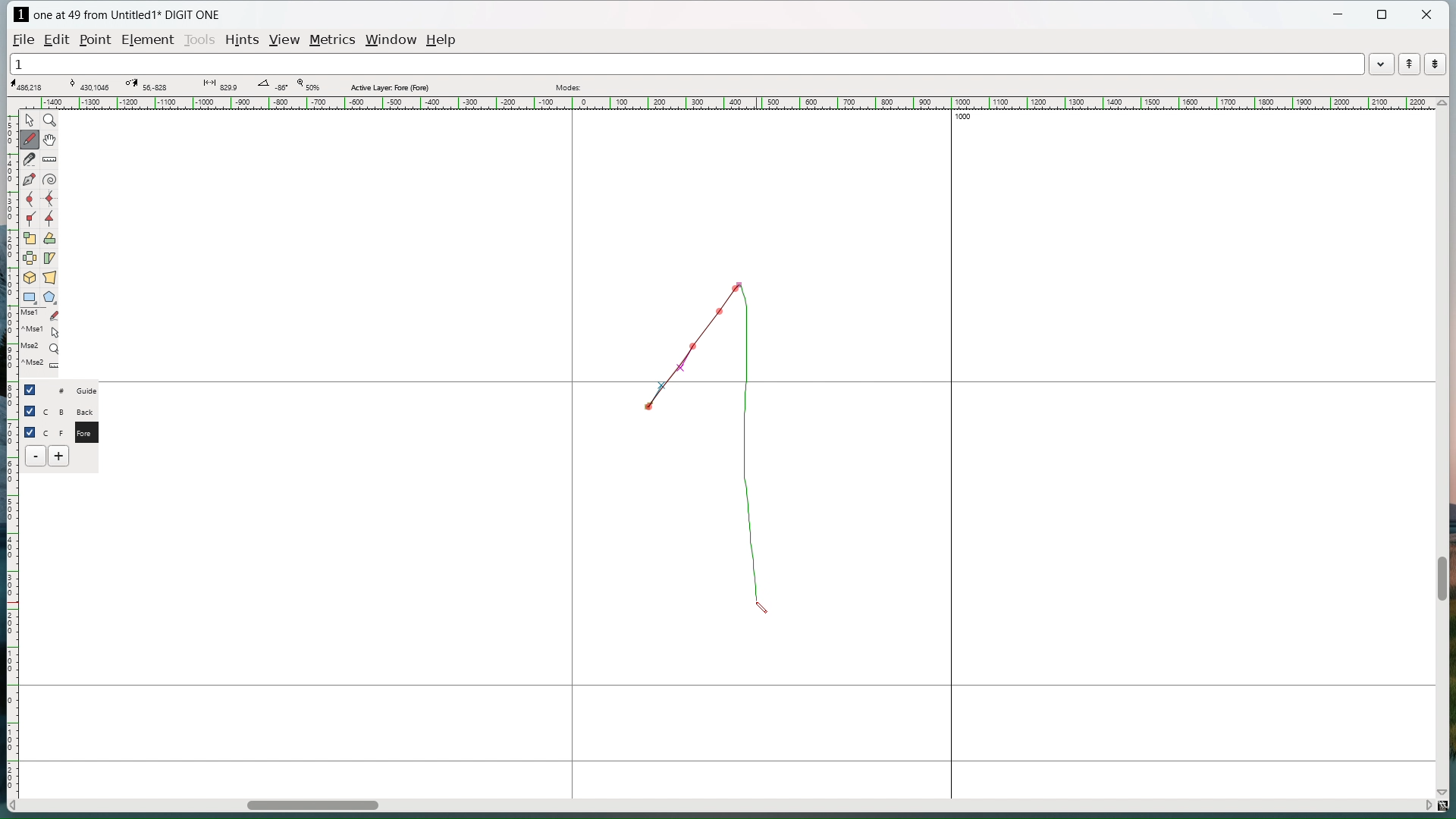 This screenshot has height=819, width=1456. I want to click on angle between lines, so click(272, 86).